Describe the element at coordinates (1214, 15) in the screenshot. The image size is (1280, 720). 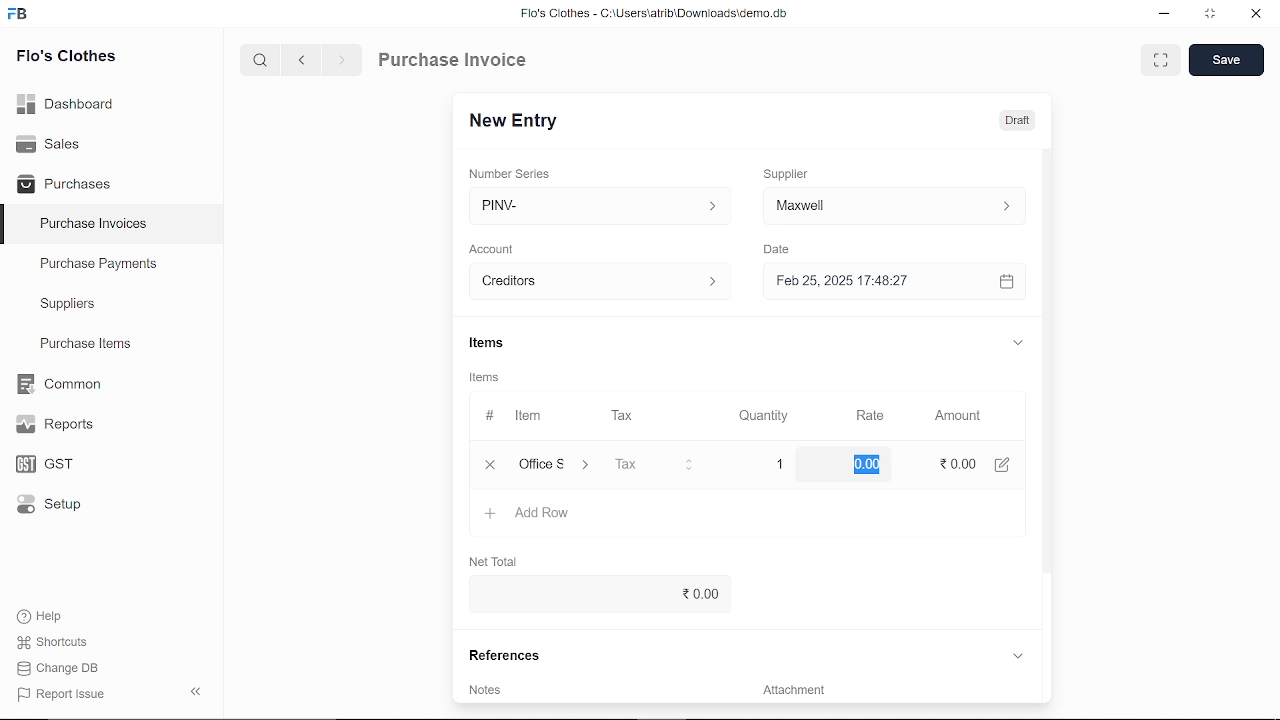
I see `restore down` at that location.